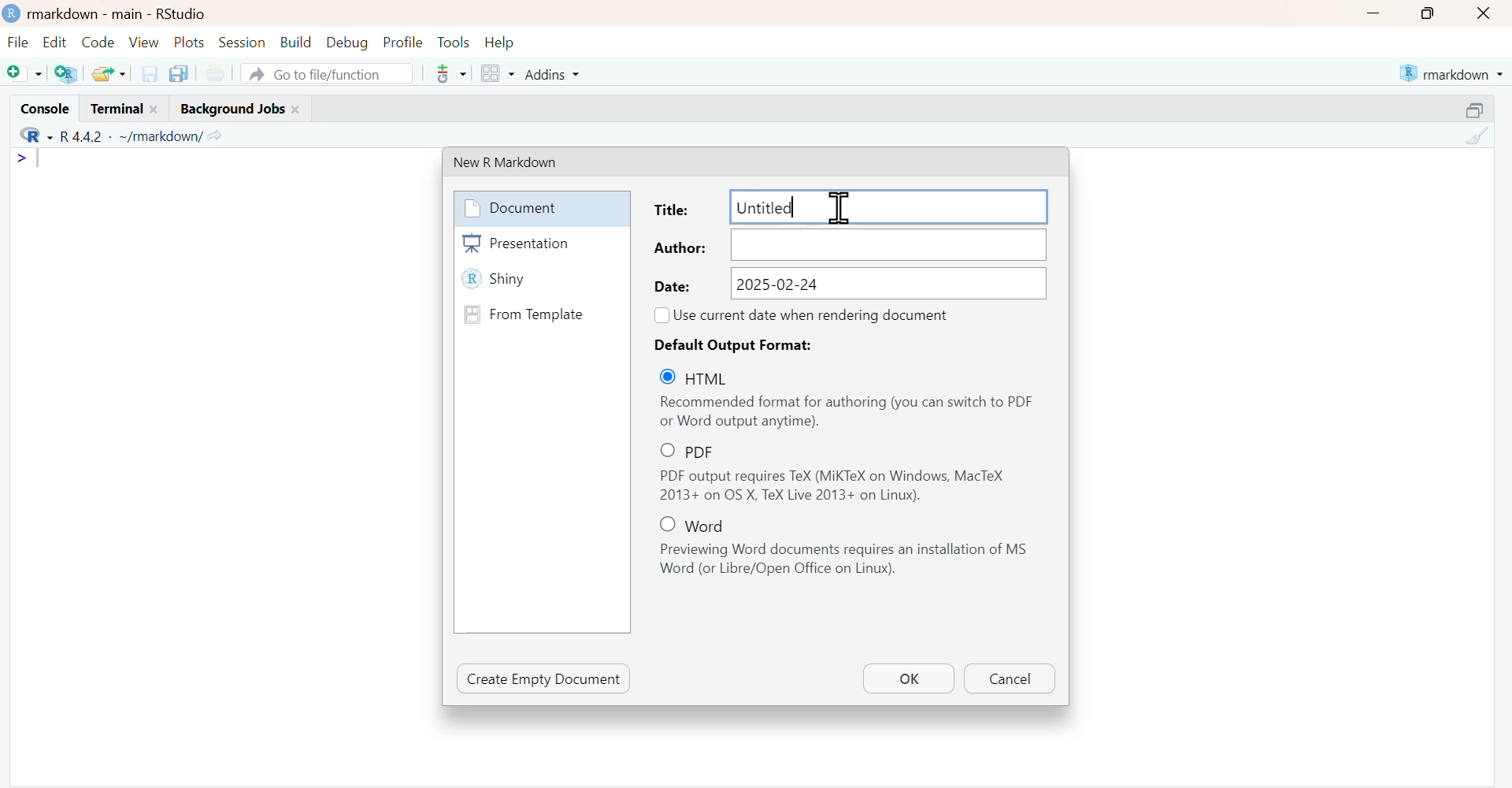 Image resolution: width=1512 pixels, height=788 pixels. I want to click on go to directory, so click(217, 136).